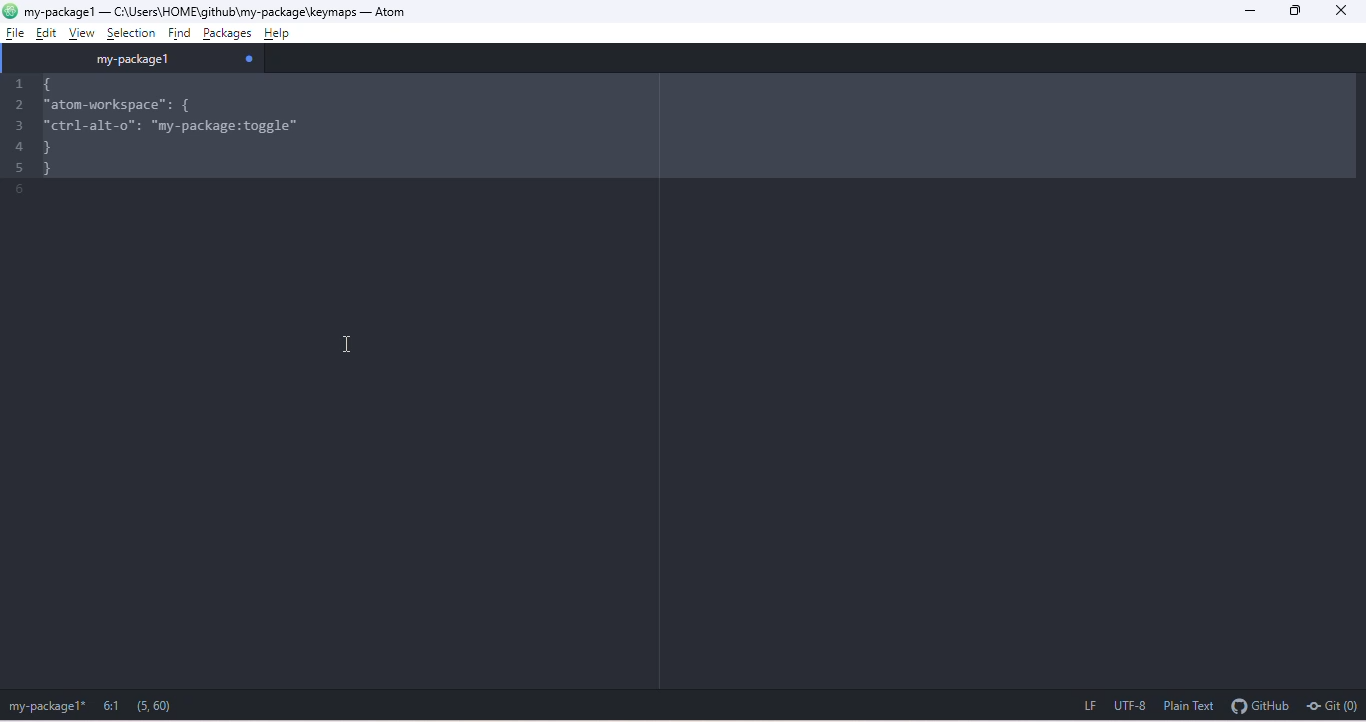 Image resolution: width=1366 pixels, height=722 pixels. What do you see at coordinates (131, 31) in the screenshot?
I see `selection` at bounding box center [131, 31].